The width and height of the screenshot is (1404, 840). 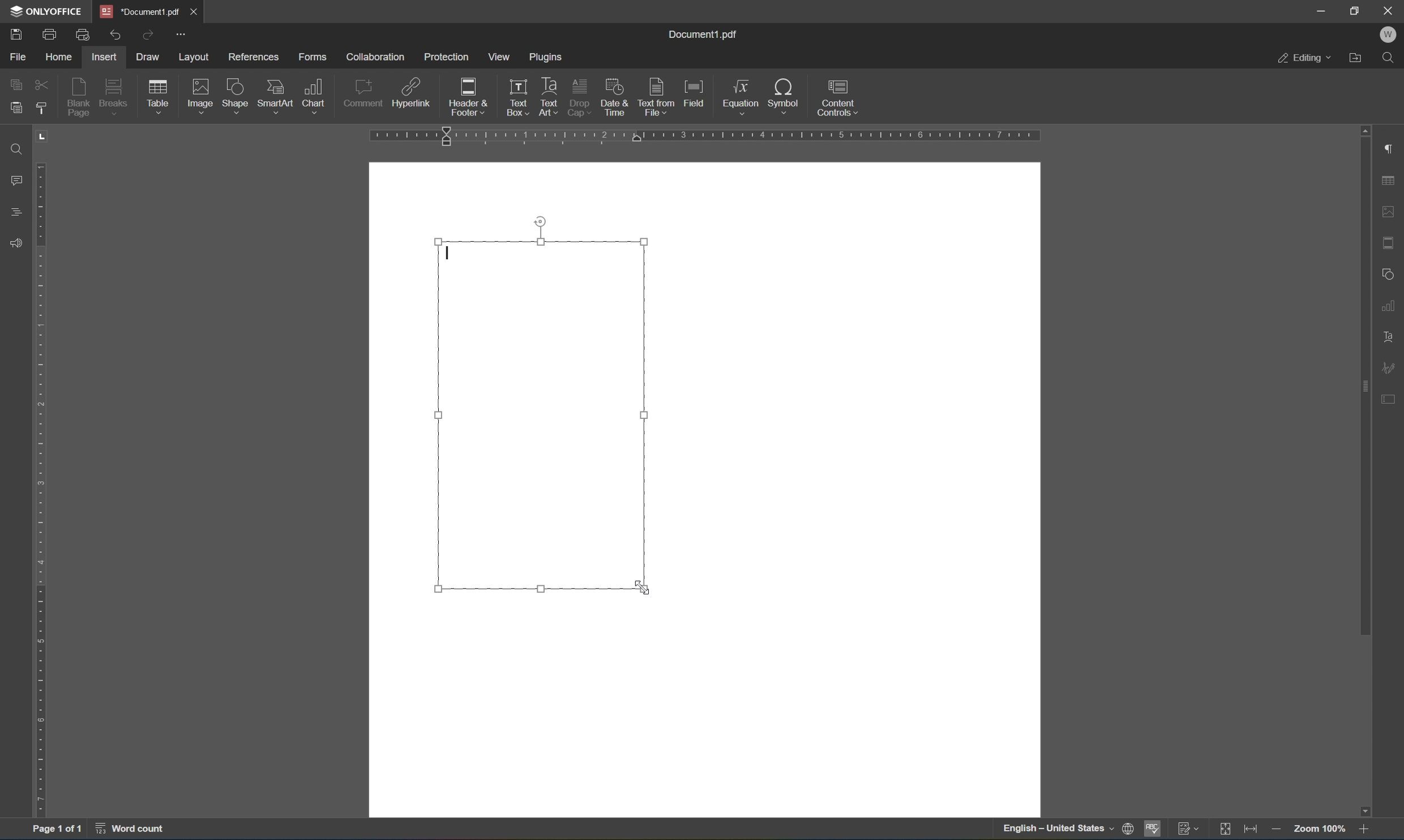 I want to click on table, so click(x=159, y=98).